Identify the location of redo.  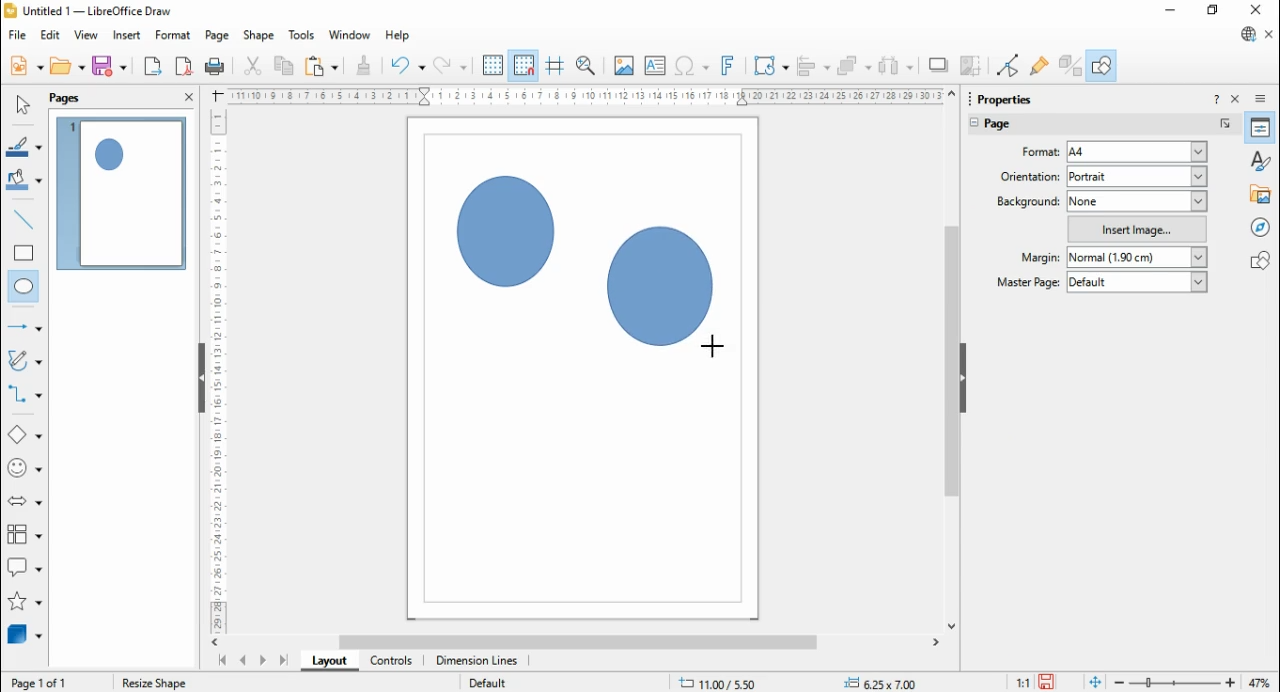
(450, 66).